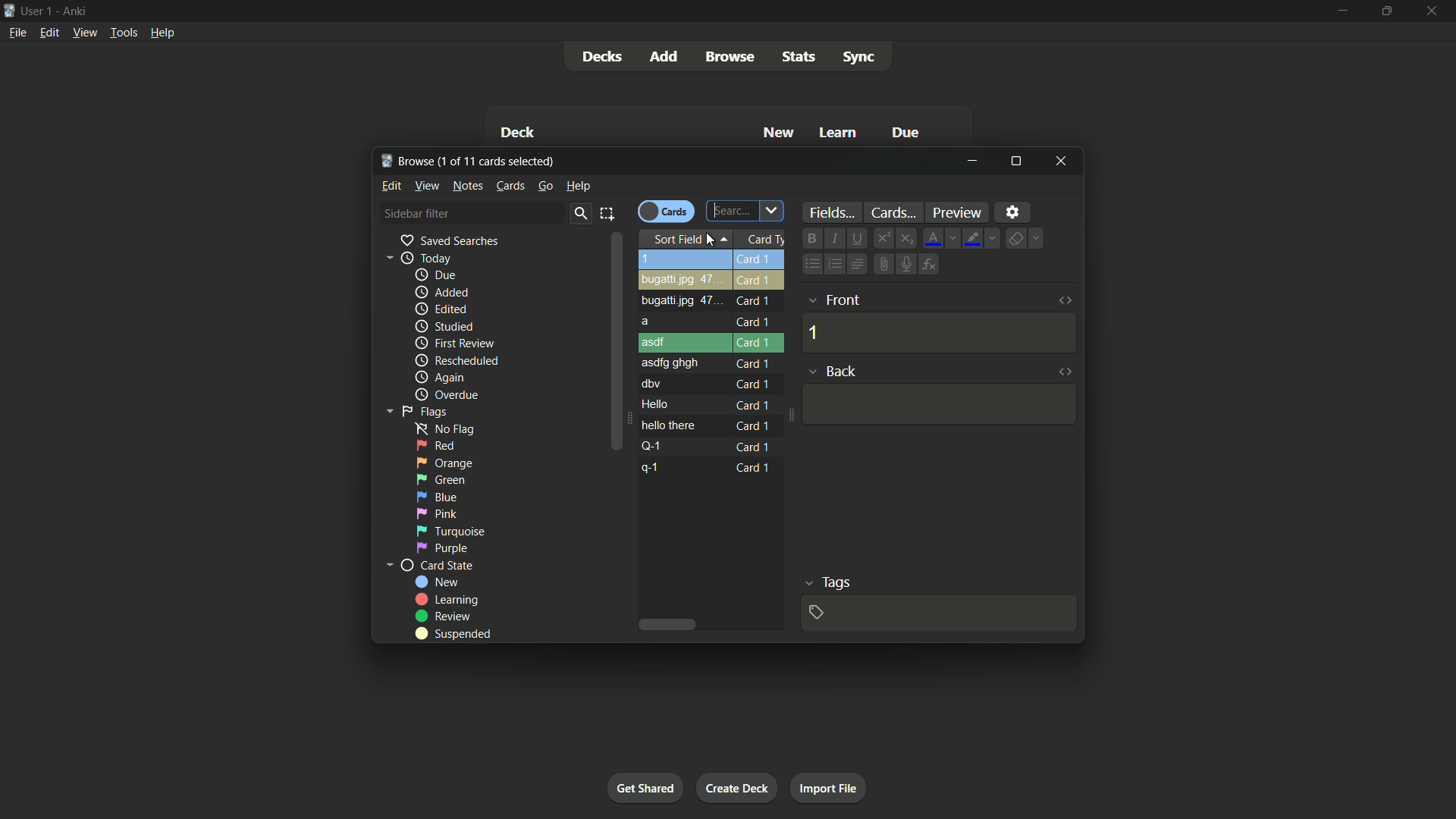 The height and width of the screenshot is (819, 1456). What do you see at coordinates (510, 185) in the screenshot?
I see `cards` at bounding box center [510, 185].